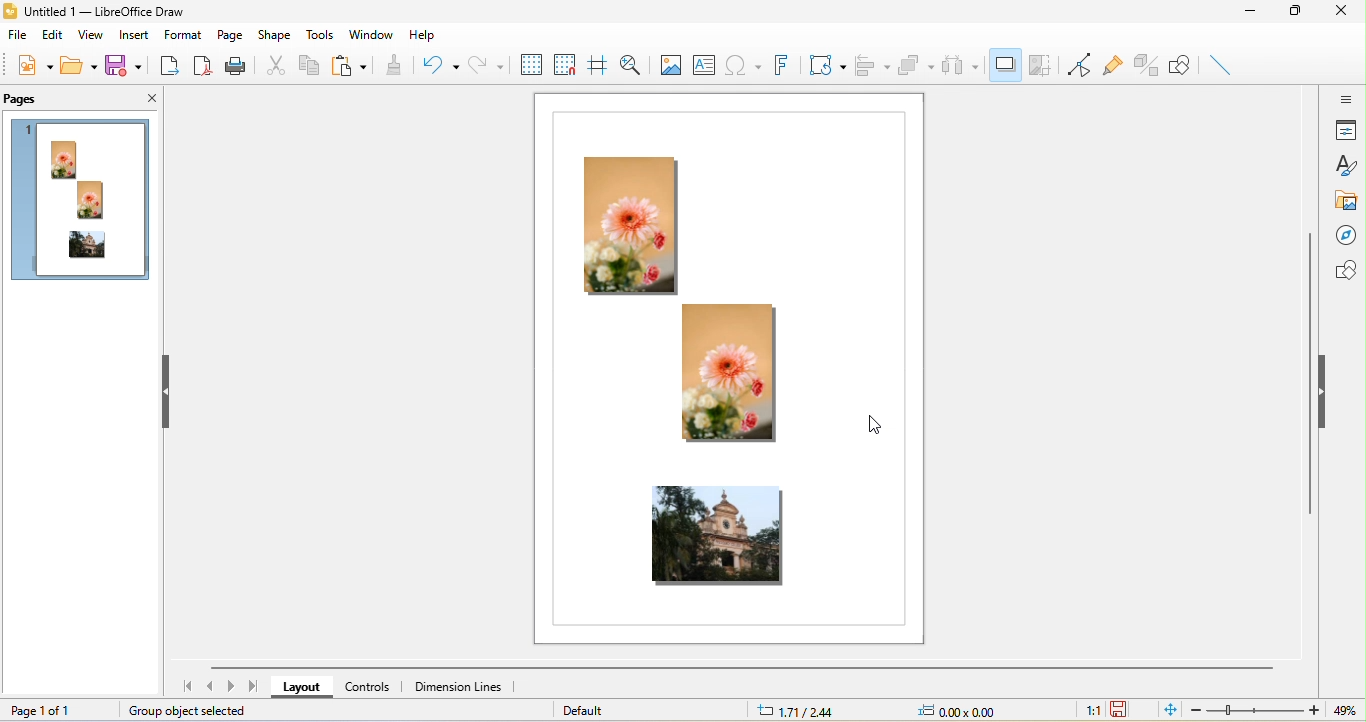 This screenshot has width=1366, height=722. What do you see at coordinates (420, 37) in the screenshot?
I see `help` at bounding box center [420, 37].